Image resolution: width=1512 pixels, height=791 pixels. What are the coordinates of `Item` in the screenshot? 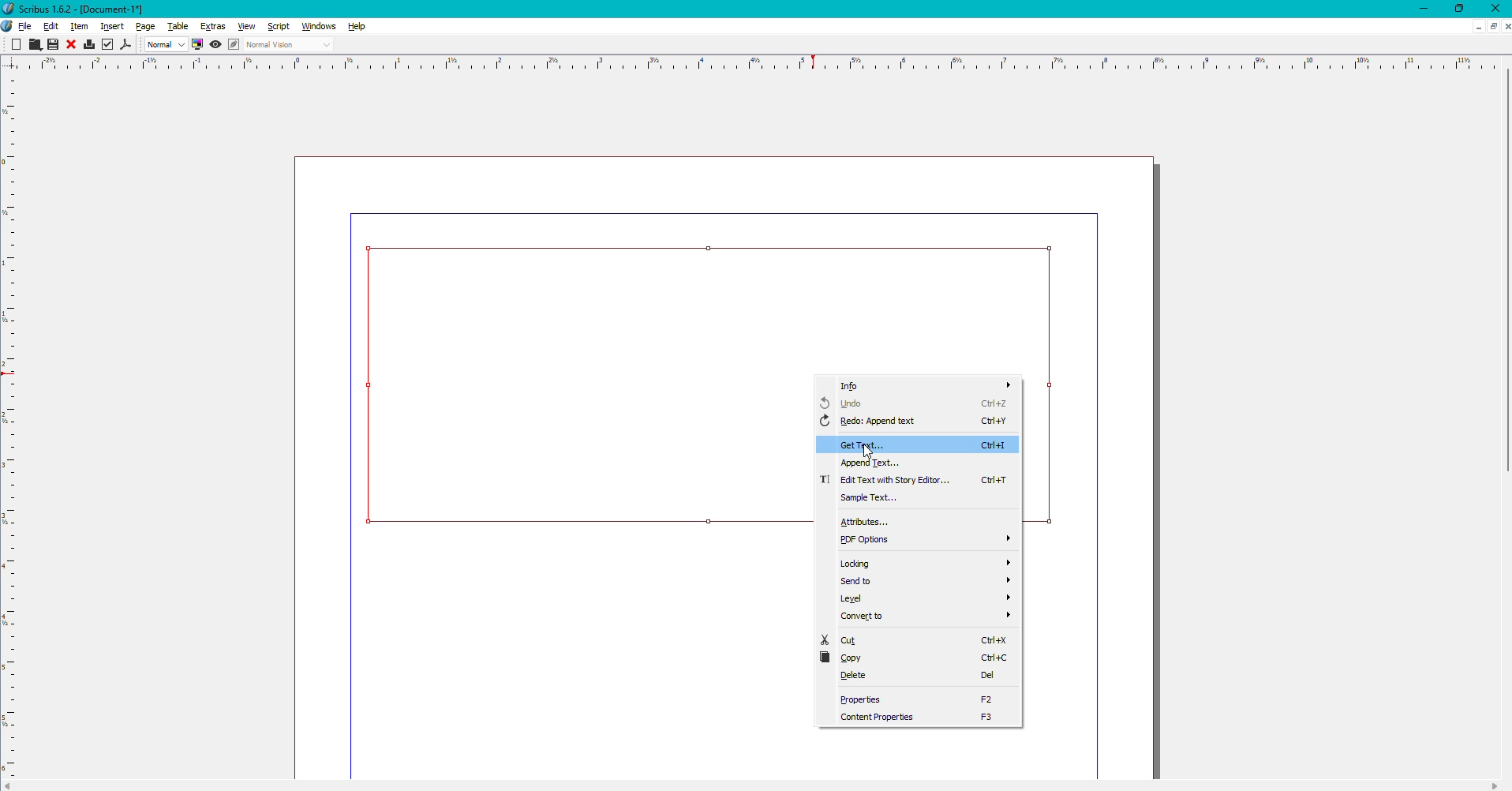 It's located at (80, 27).